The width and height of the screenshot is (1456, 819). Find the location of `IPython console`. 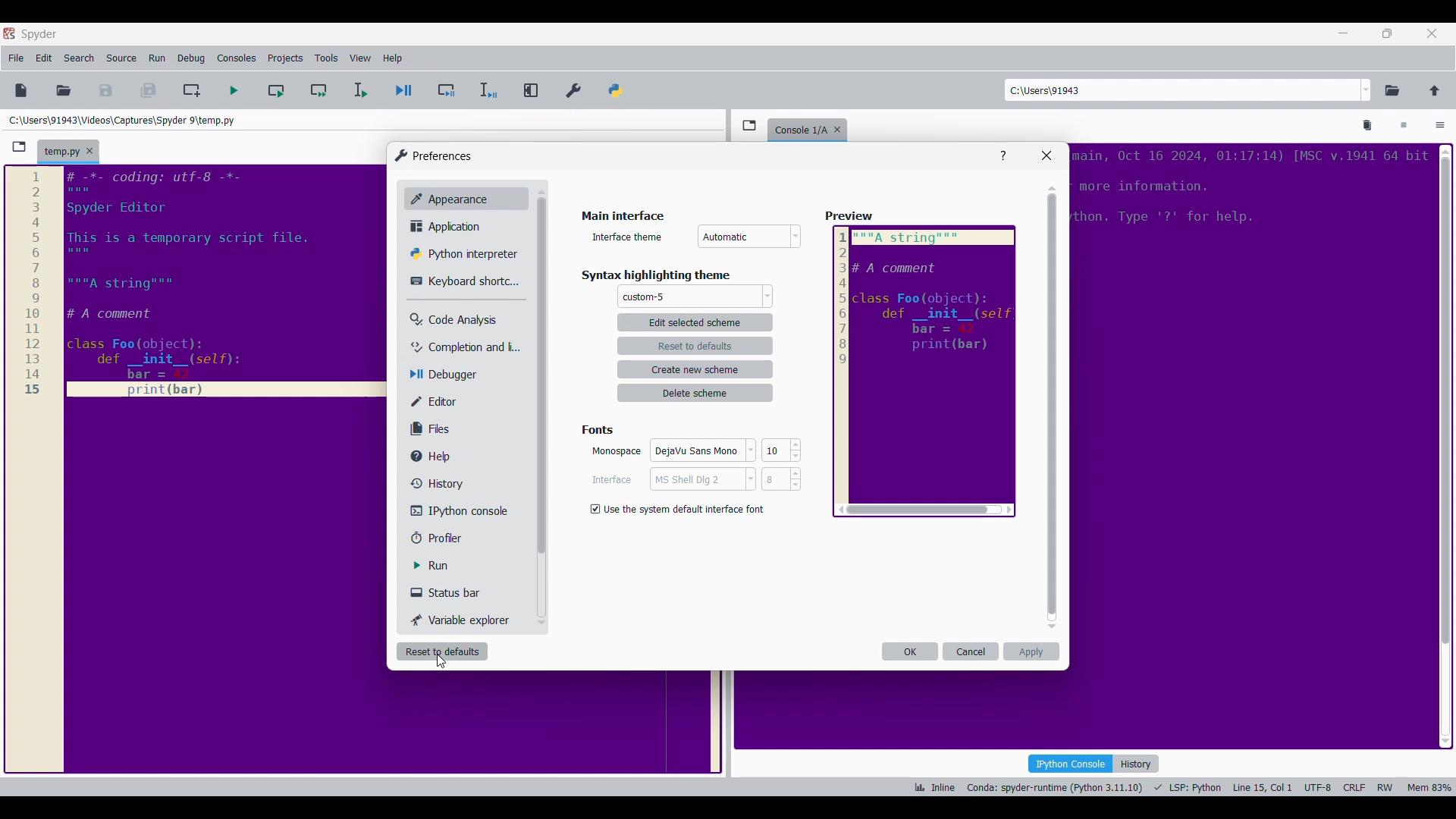

IPython console is located at coordinates (1070, 764).